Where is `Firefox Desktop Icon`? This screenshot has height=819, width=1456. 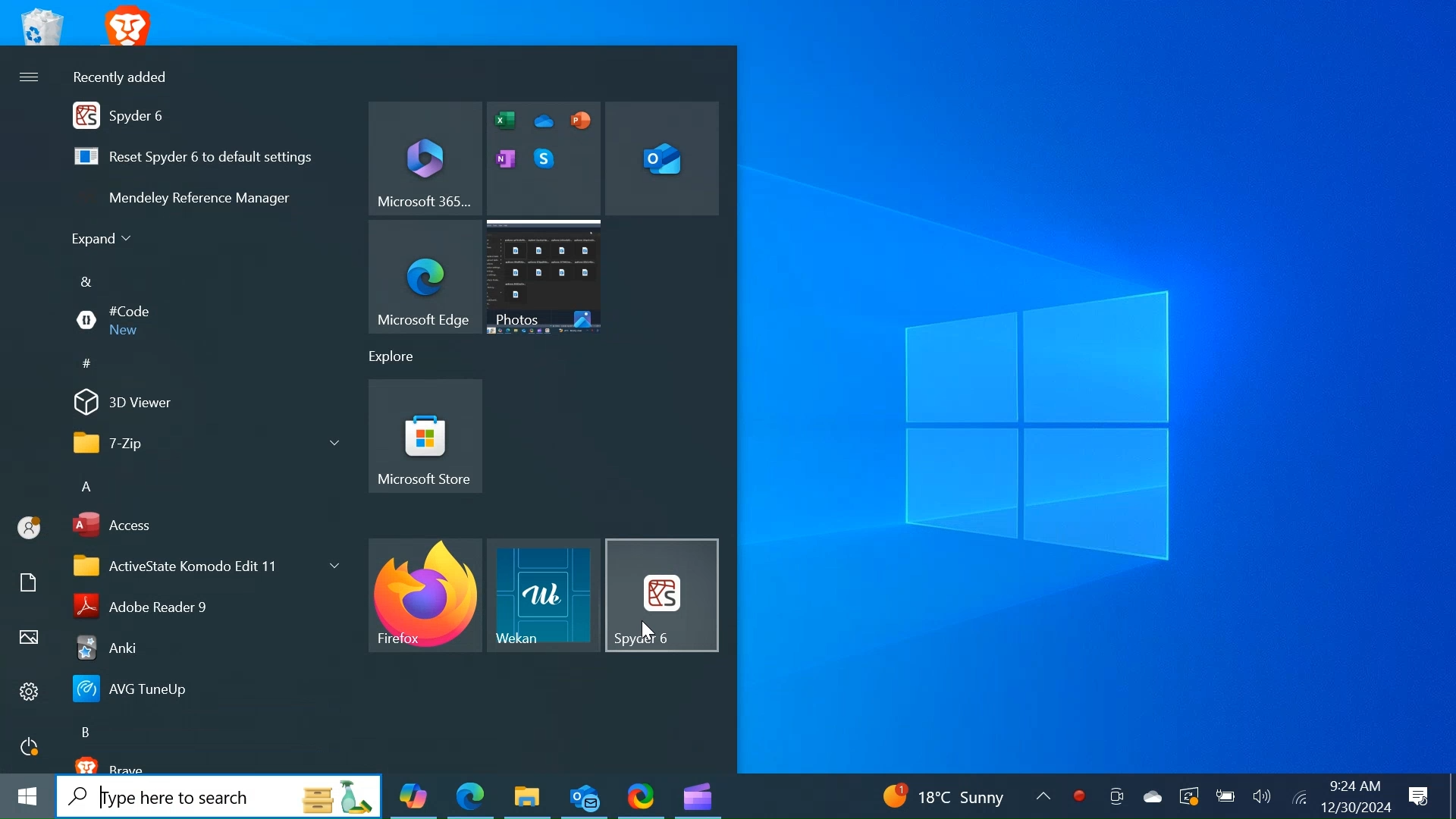 Firefox Desktop Icon is located at coordinates (425, 593).